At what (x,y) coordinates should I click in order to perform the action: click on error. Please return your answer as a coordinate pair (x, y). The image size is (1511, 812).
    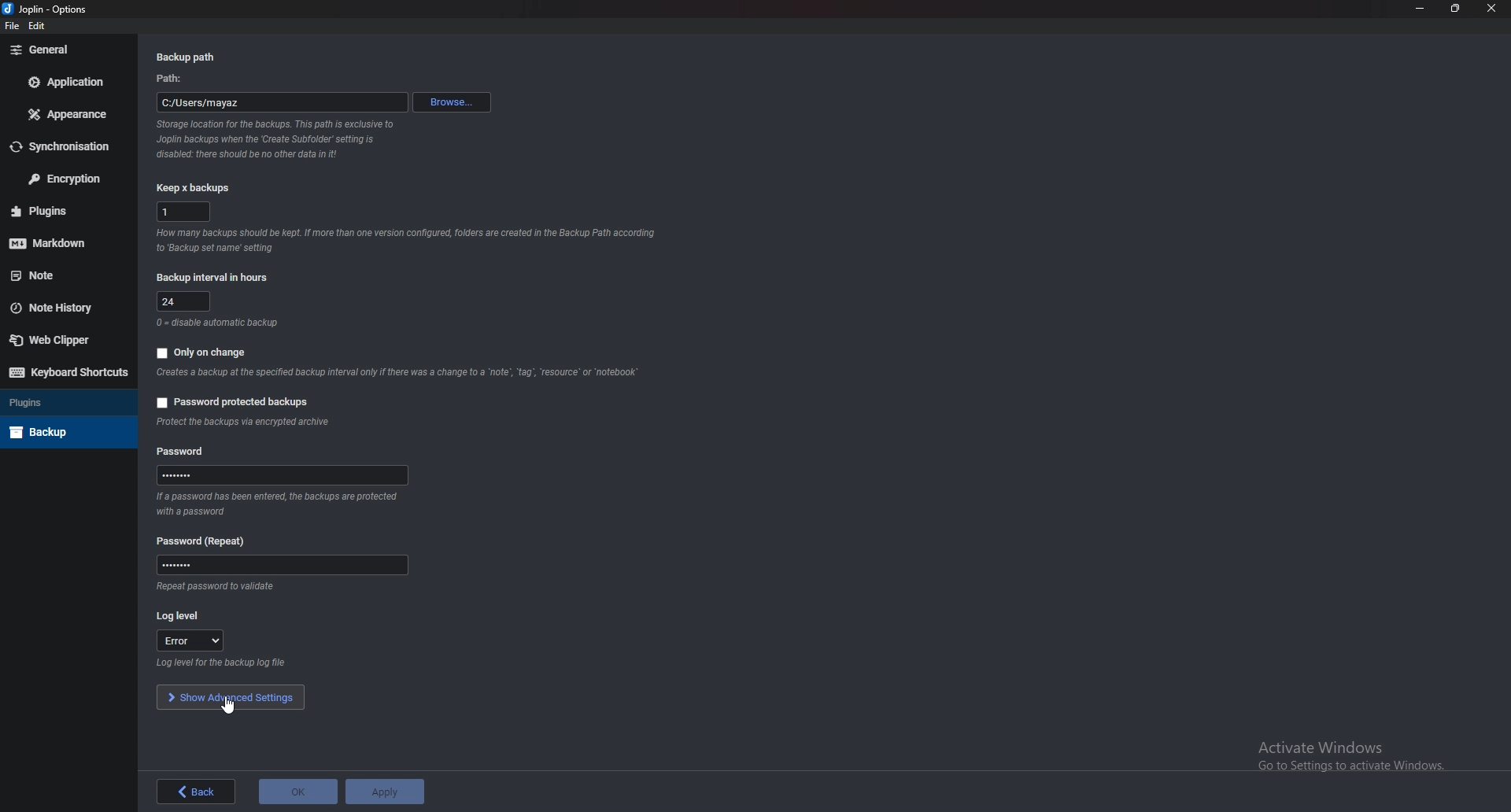
    Looking at the image, I should click on (189, 640).